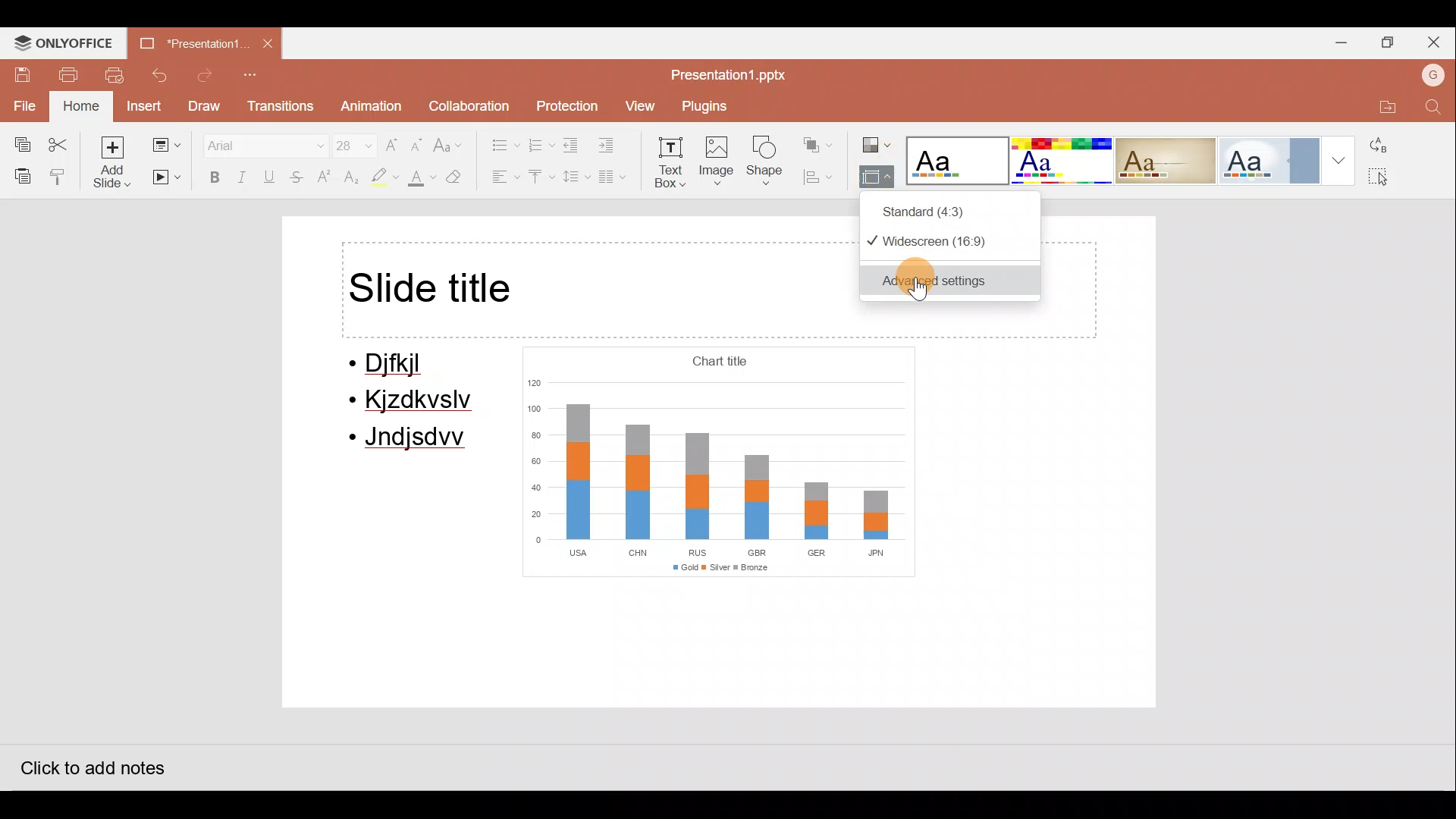 This screenshot has width=1456, height=819. What do you see at coordinates (243, 176) in the screenshot?
I see `Italic` at bounding box center [243, 176].